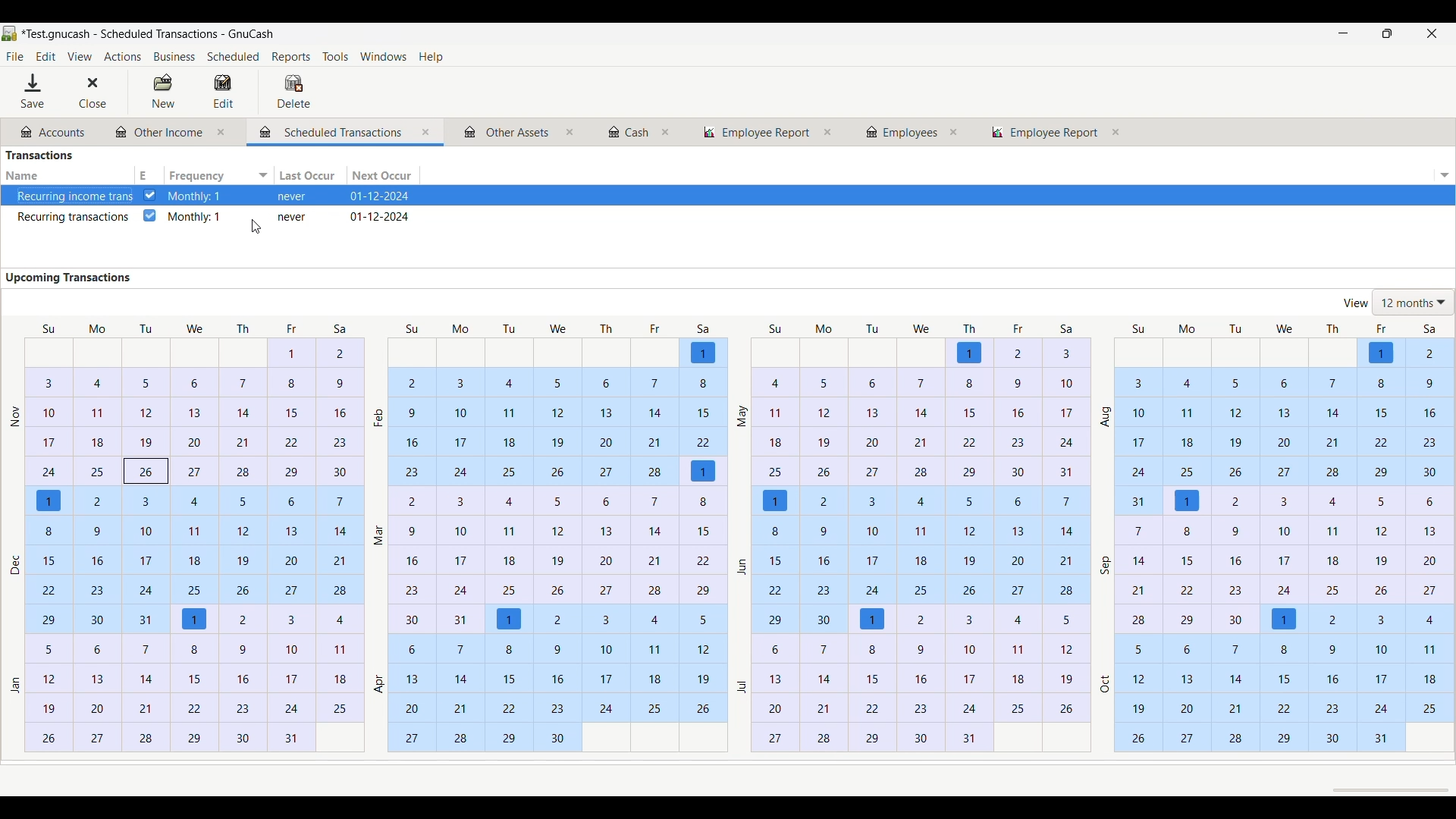 The width and height of the screenshot is (1456, 819). I want to click on close, so click(955, 132).